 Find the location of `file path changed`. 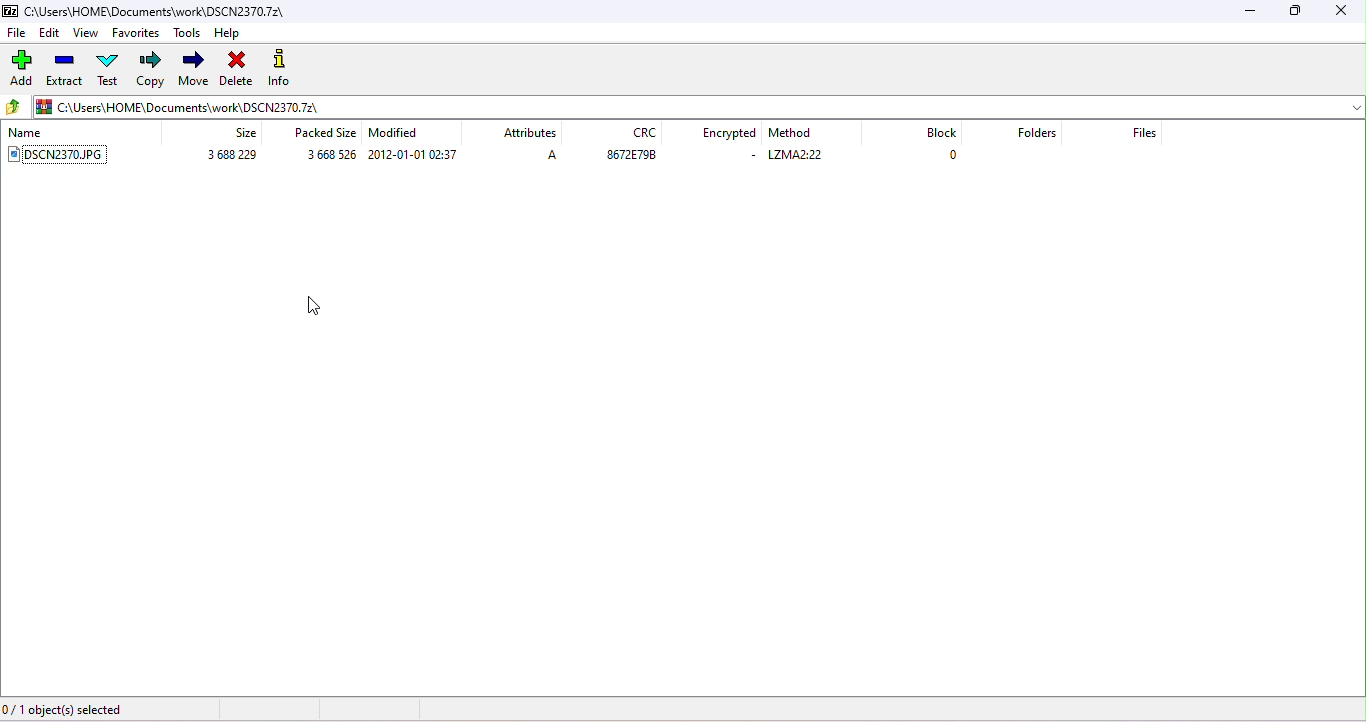

file path changed is located at coordinates (180, 105).